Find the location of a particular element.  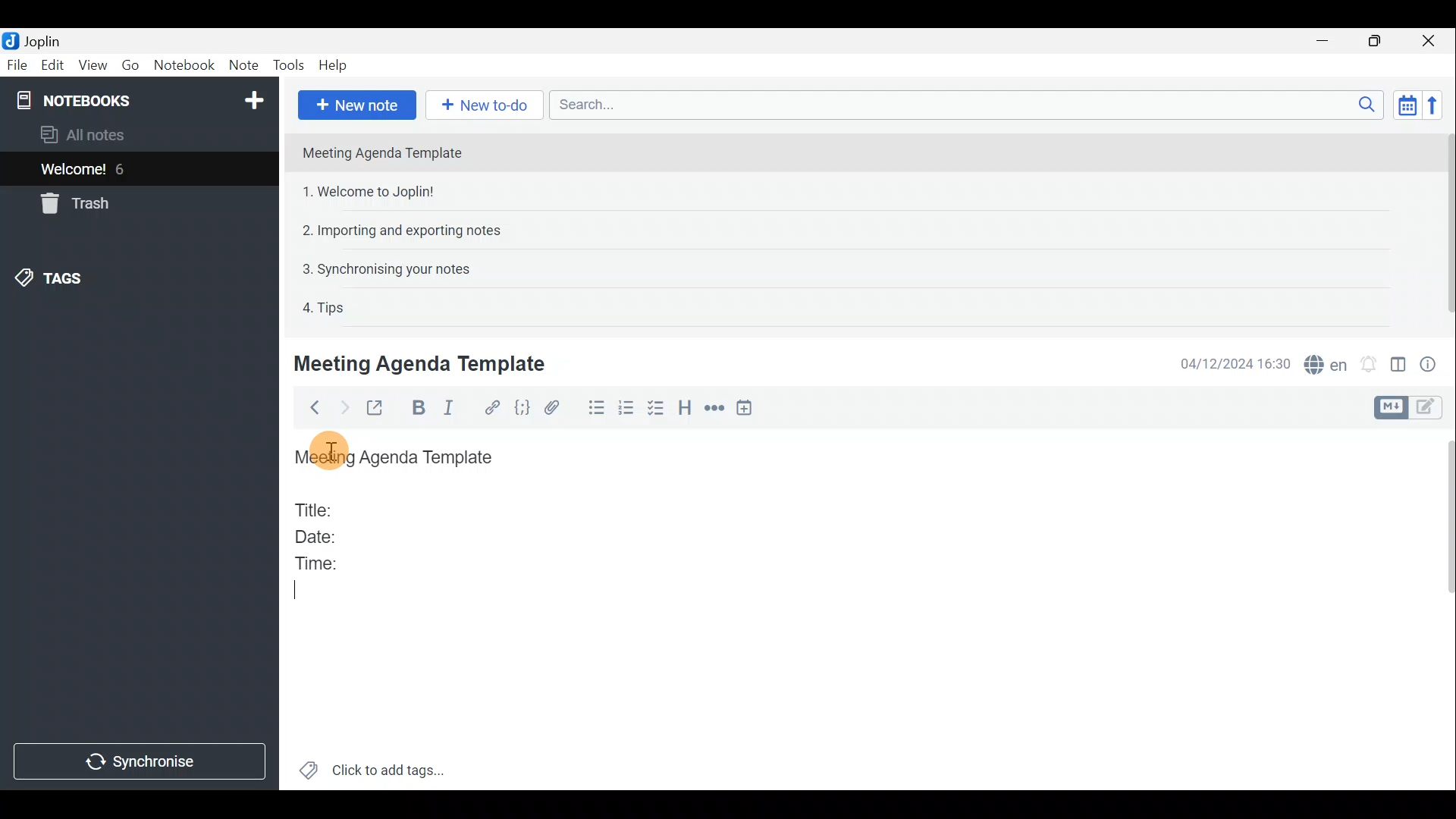

Note properties is located at coordinates (1433, 363).